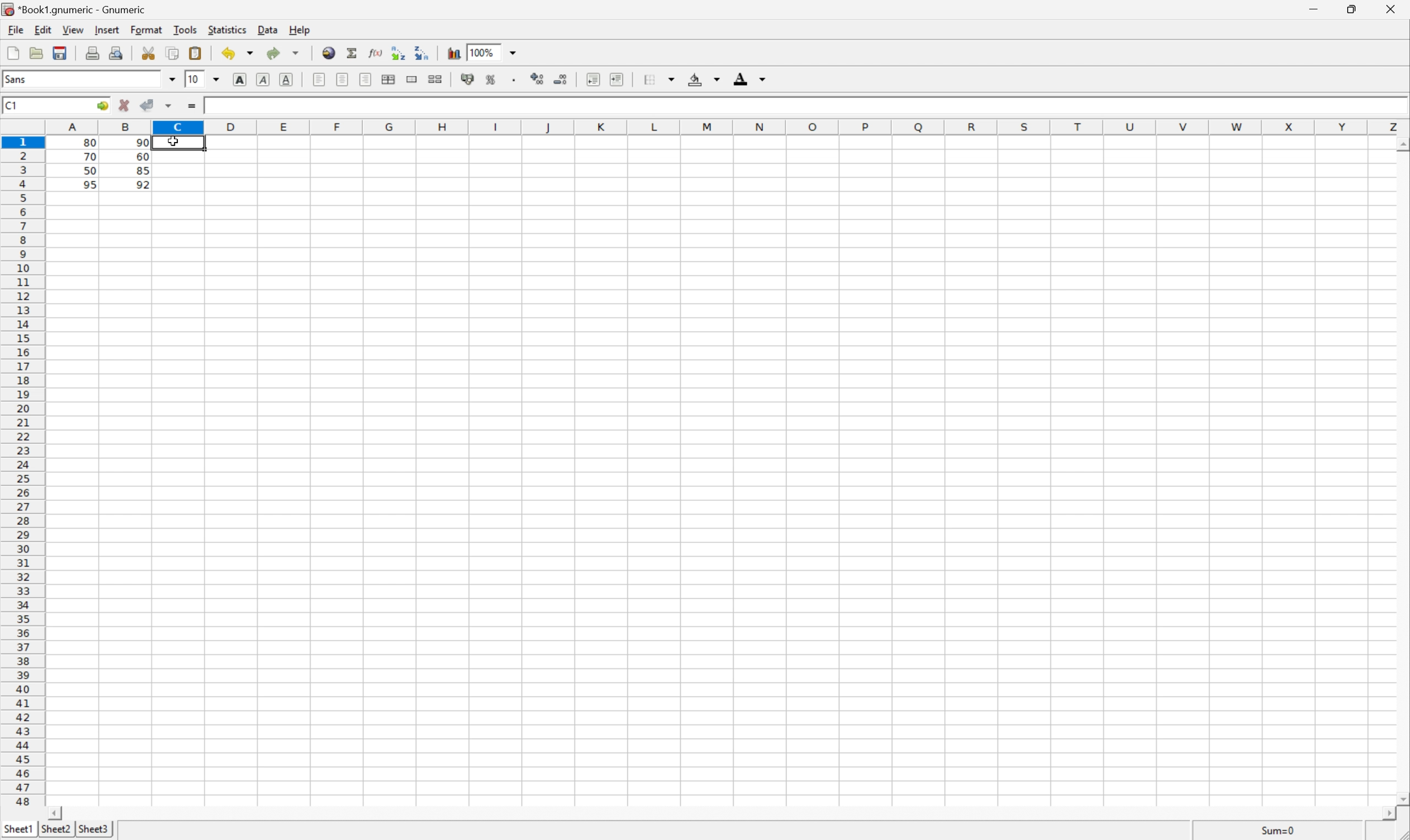  I want to click on Italic, so click(264, 79).